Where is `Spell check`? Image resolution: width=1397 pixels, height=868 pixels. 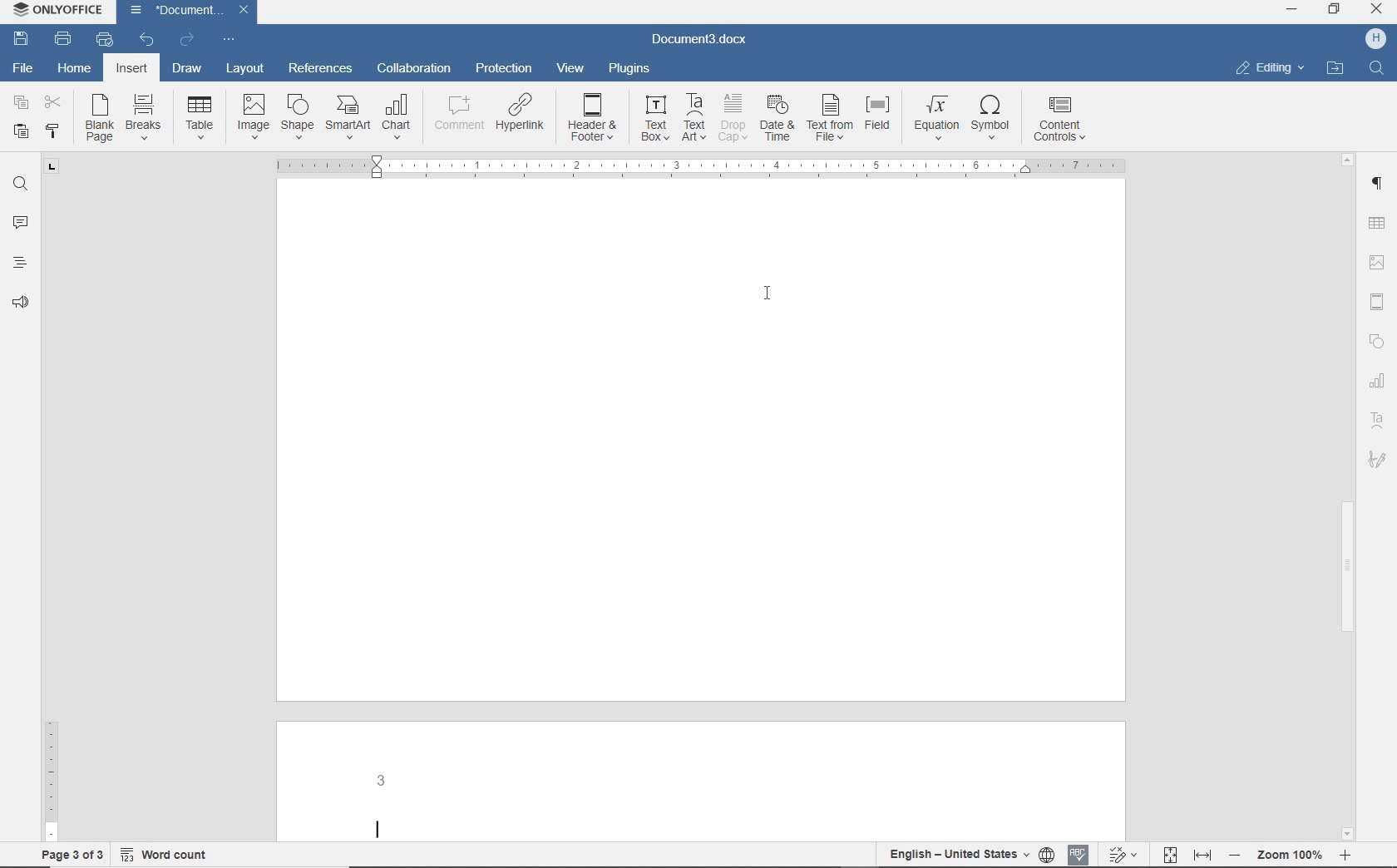 Spell check is located at coordinates (1079, 852).